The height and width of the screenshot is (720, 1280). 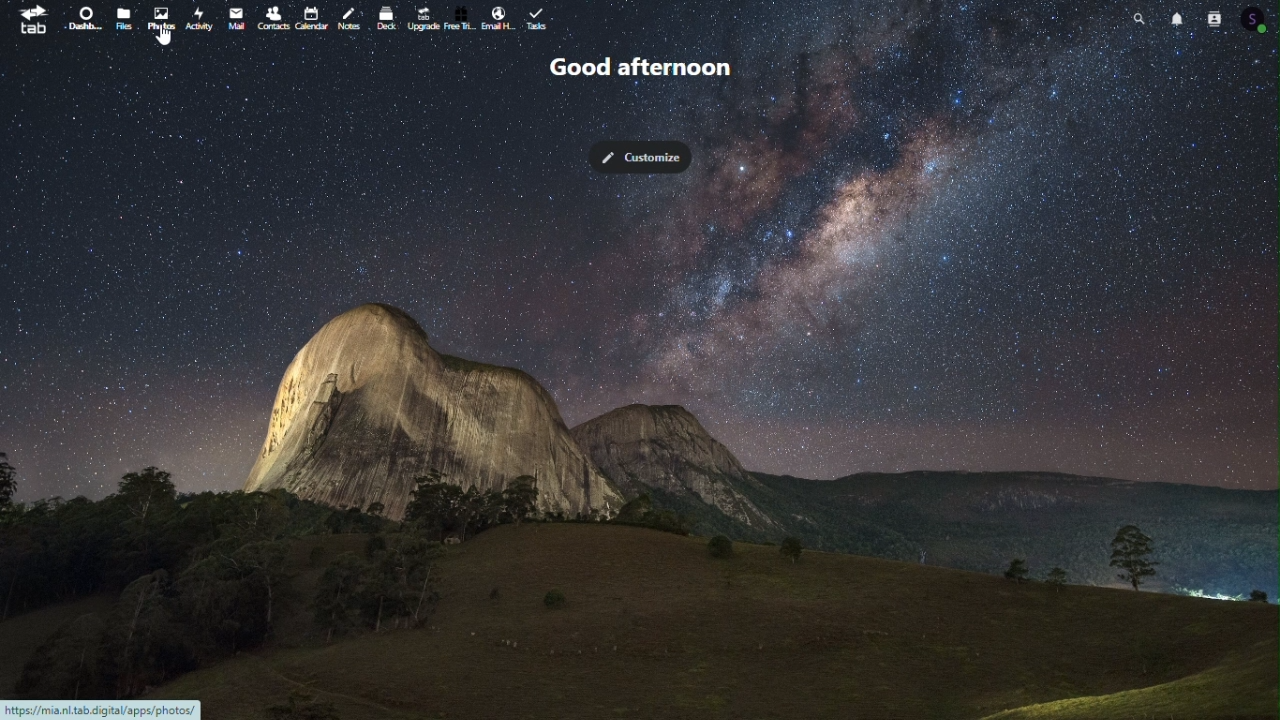 I want to click on photo, so click(x=163, y=21).